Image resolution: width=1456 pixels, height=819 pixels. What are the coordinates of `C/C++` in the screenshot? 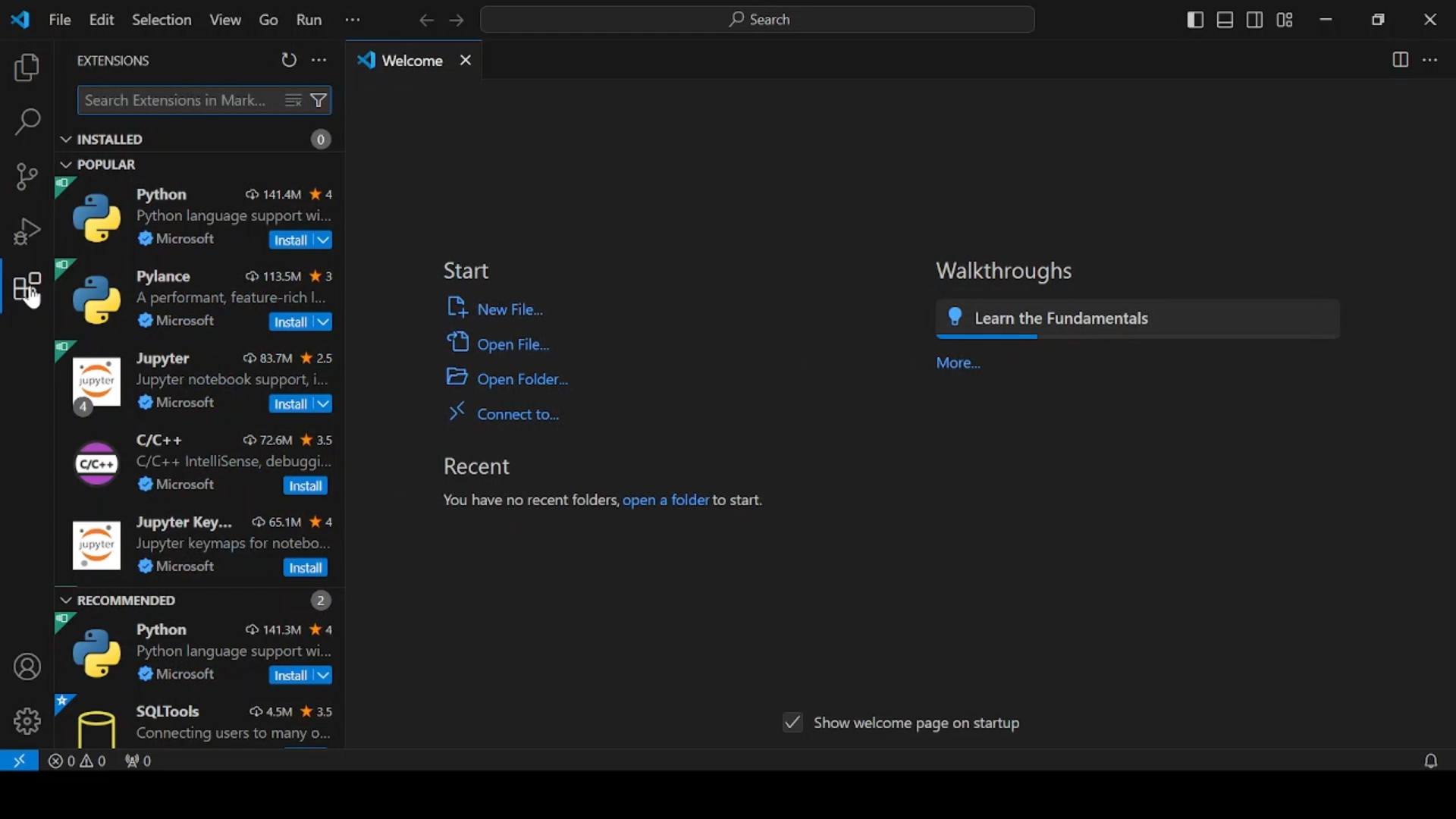 It's located at (201, 463).